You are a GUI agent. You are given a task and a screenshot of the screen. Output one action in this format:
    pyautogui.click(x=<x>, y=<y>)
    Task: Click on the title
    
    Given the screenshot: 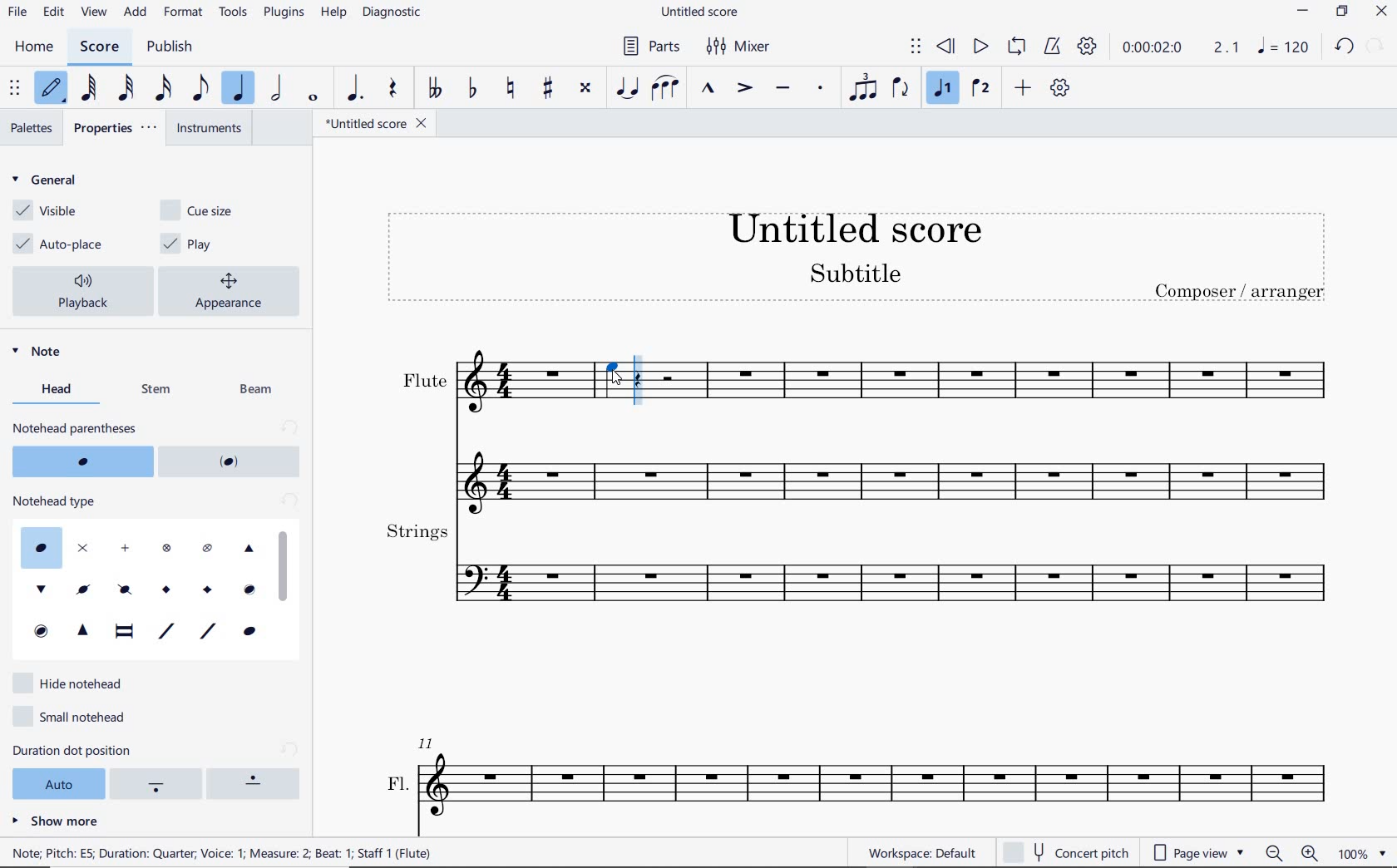 What is the action you would take?
    pyautogui.click(x=857, y=258)
    